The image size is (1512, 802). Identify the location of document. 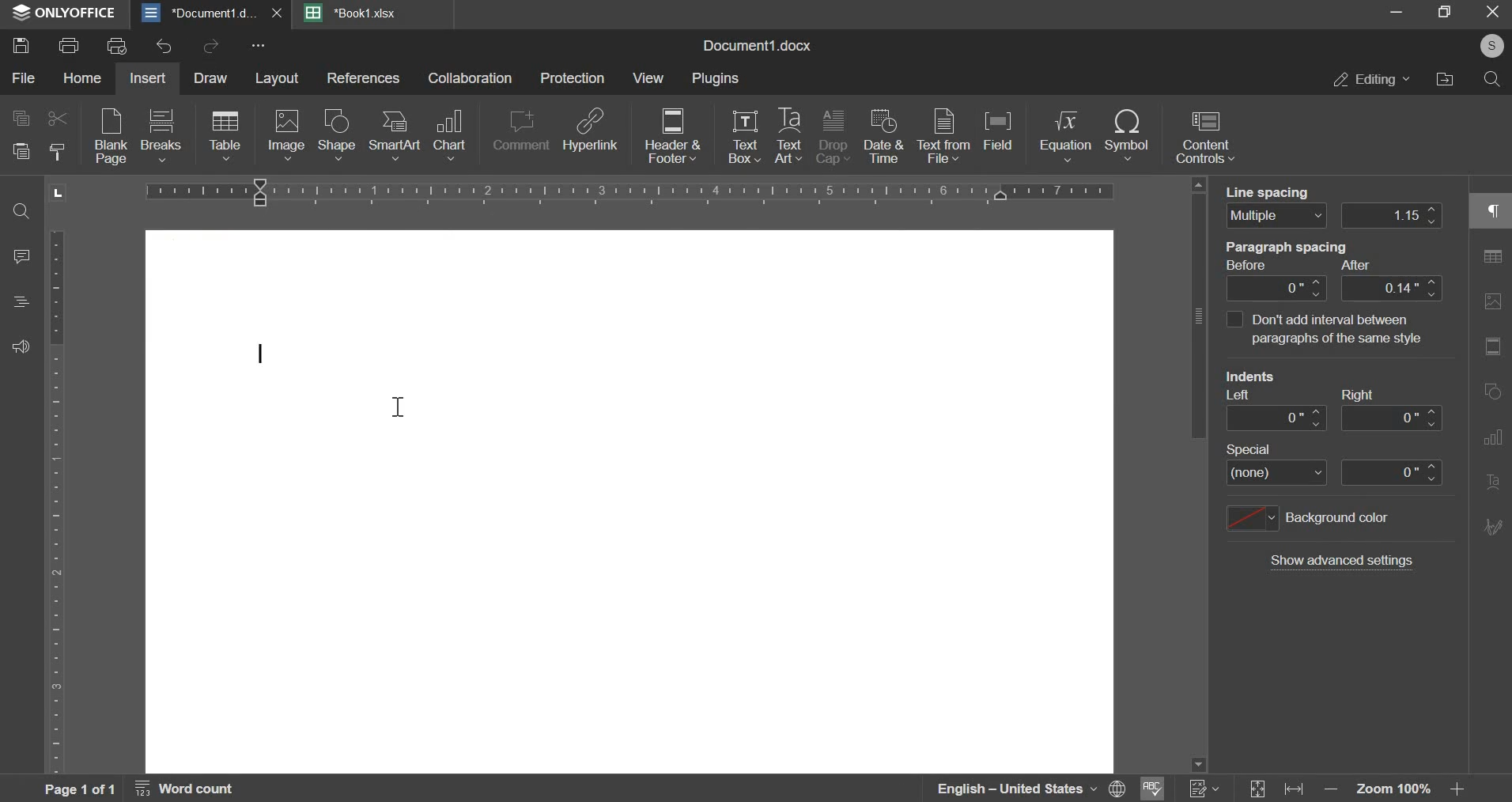
(213, 12).